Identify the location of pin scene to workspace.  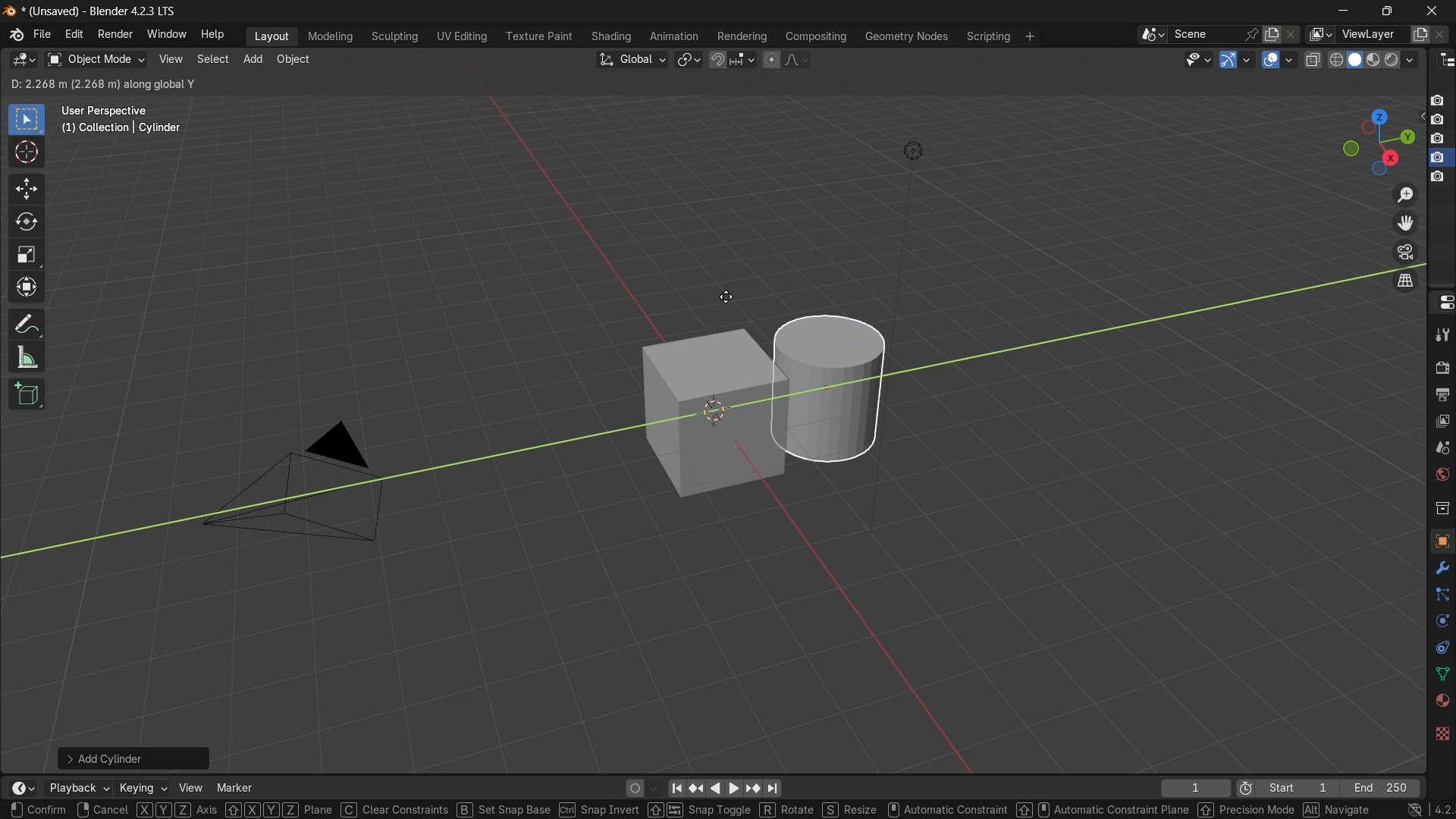
(1252, 34).